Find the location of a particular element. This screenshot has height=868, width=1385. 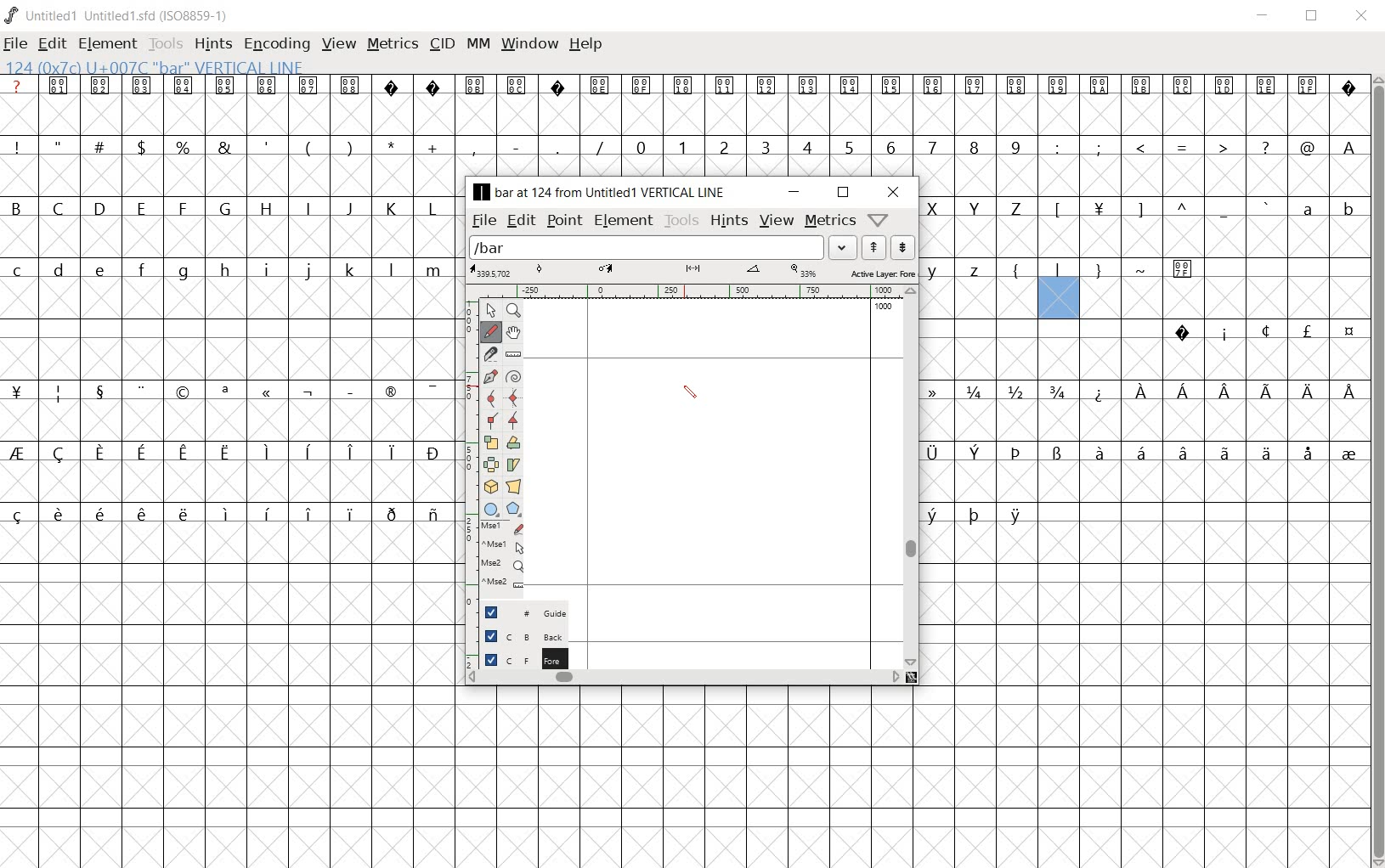

empty cells is located at coordinates (232, 419).